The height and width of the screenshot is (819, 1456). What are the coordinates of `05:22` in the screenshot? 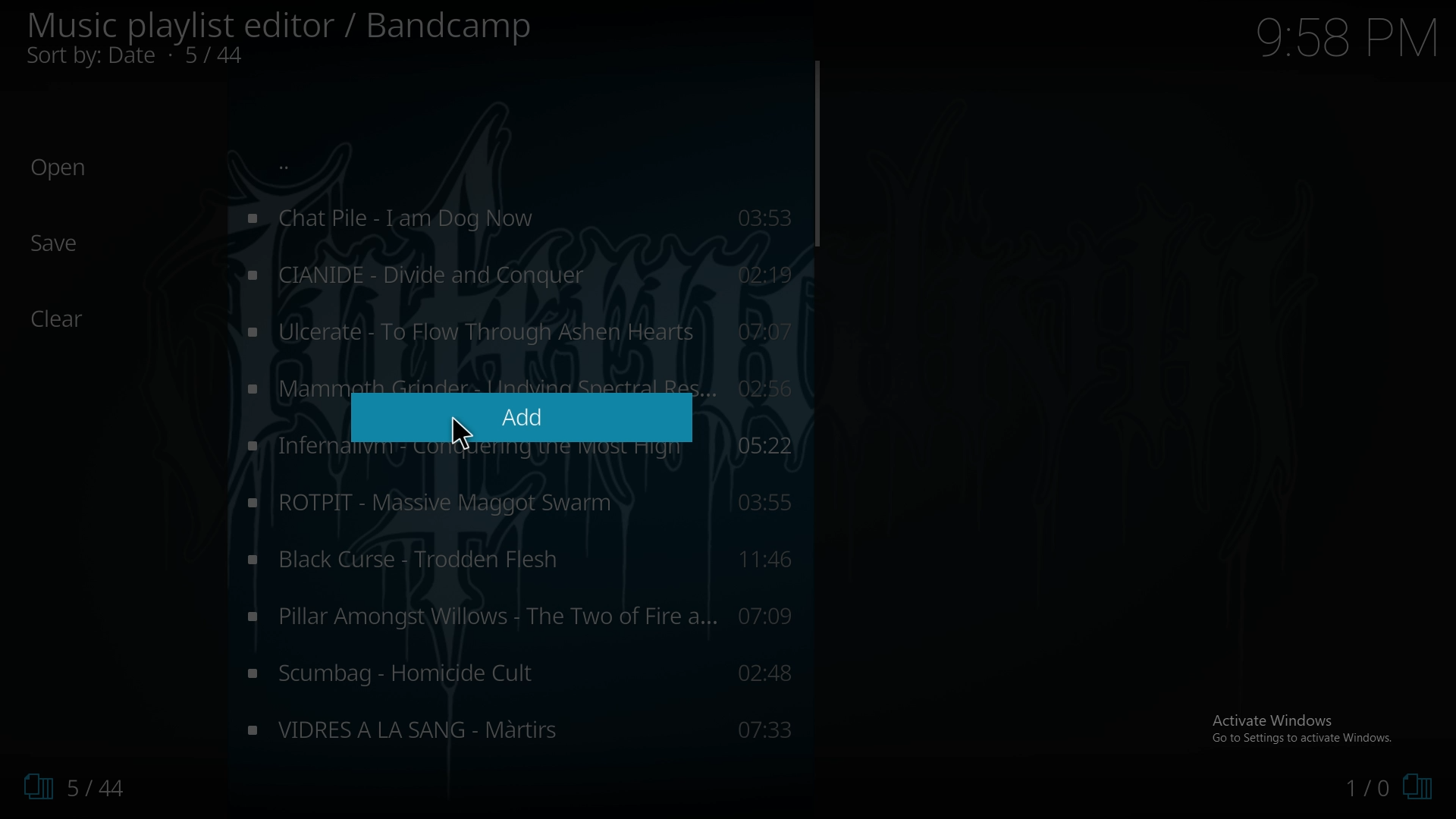 It's located at (772, 447).